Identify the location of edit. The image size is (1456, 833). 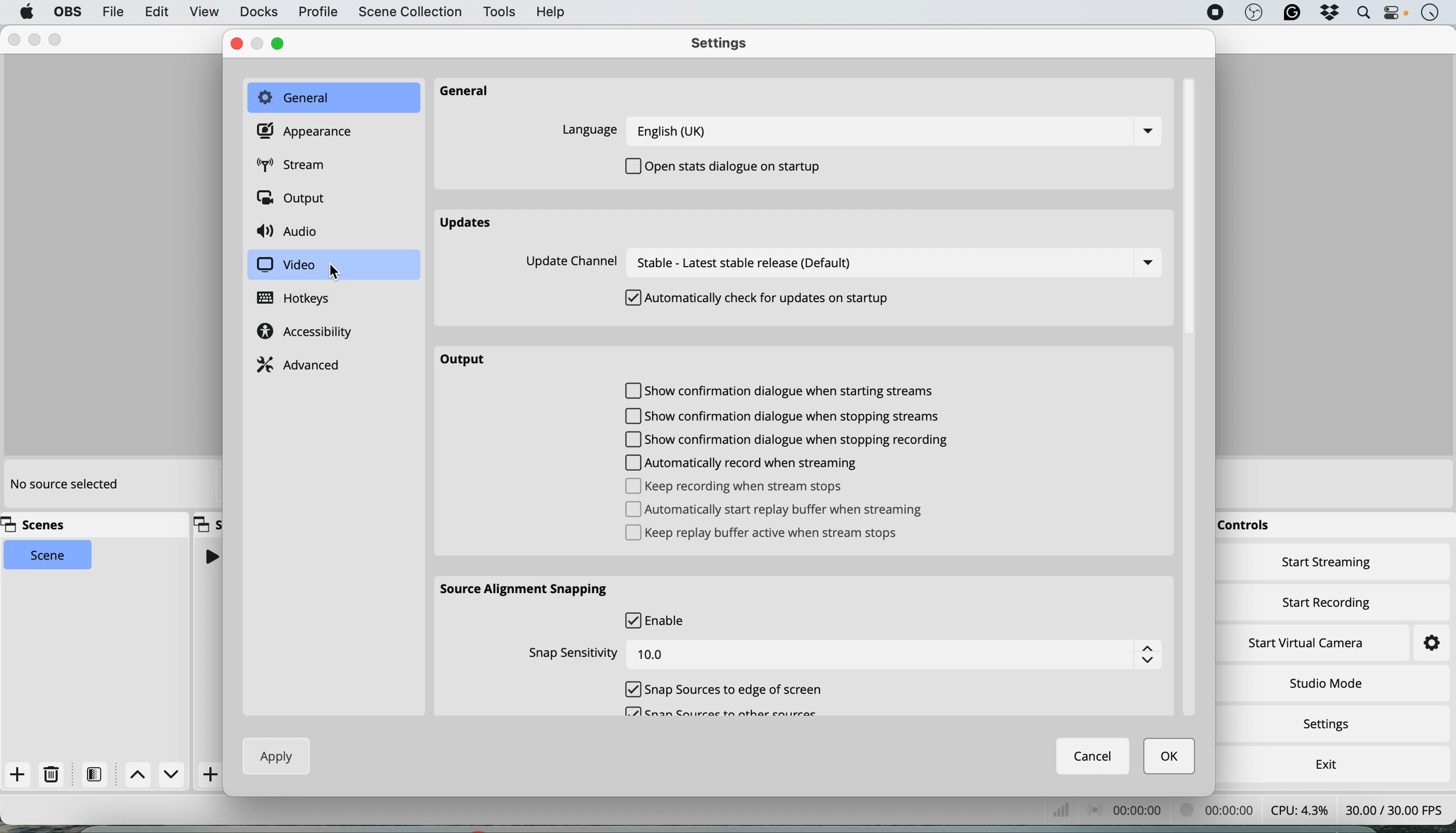
(158, 13).